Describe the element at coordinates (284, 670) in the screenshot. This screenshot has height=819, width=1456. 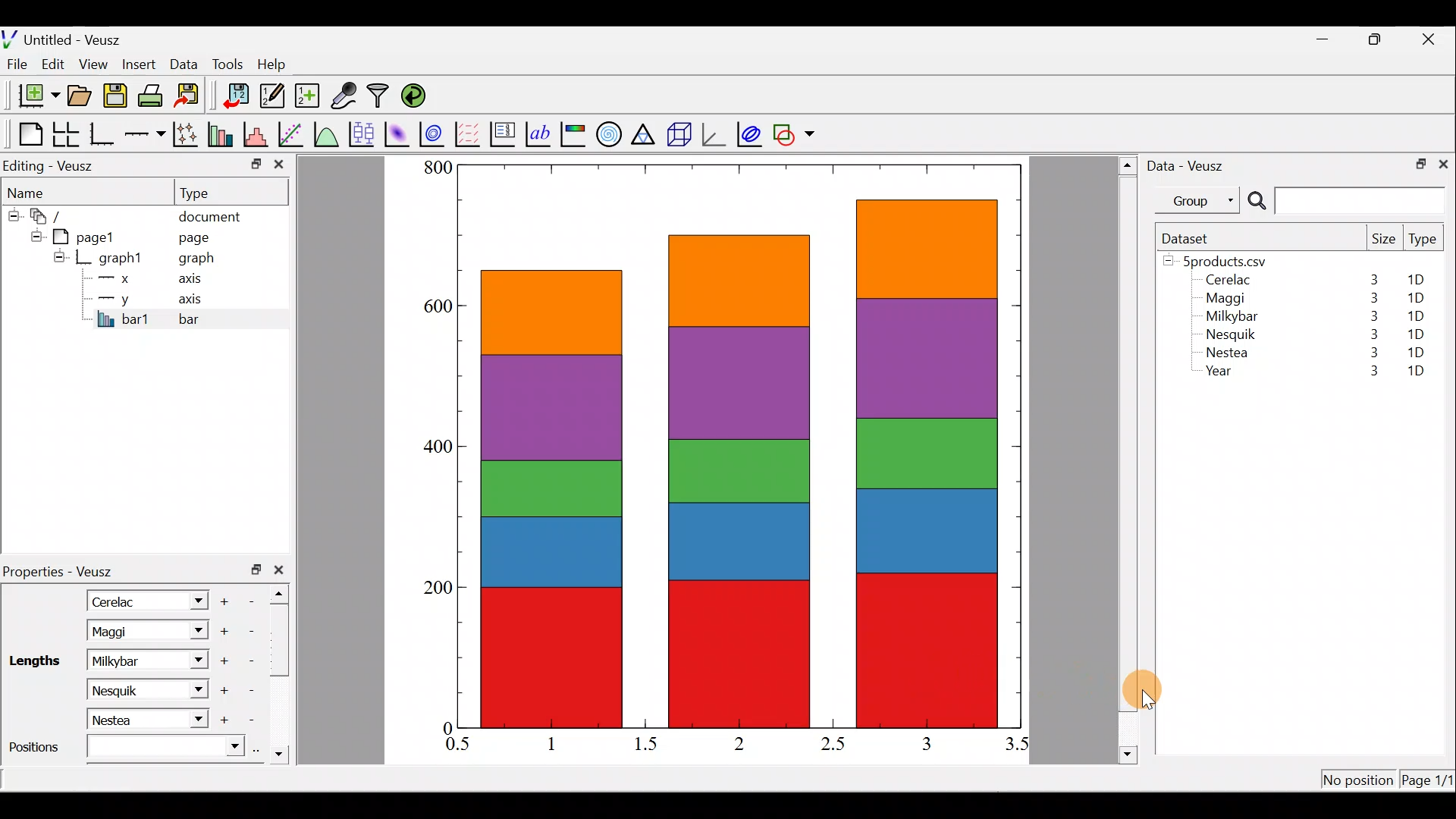
I see `scroll bar` at that location.